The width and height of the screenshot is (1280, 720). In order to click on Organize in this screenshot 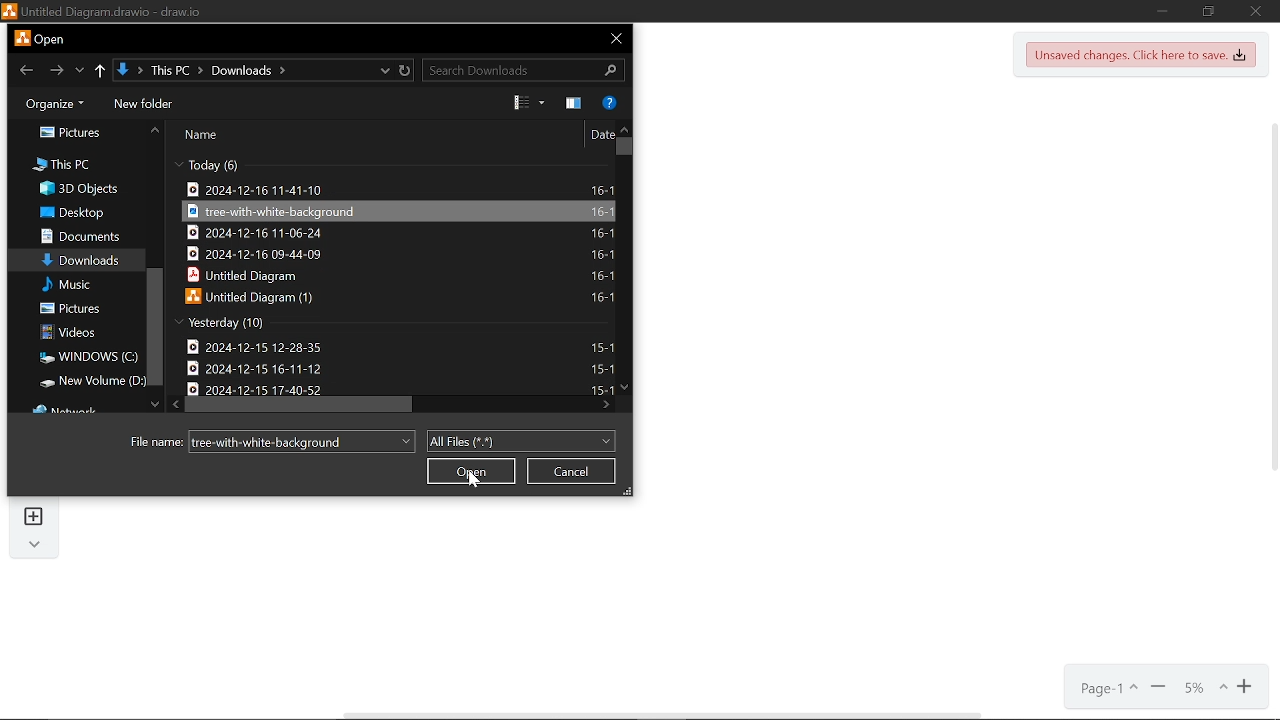, I will do `click(51, 102)`.